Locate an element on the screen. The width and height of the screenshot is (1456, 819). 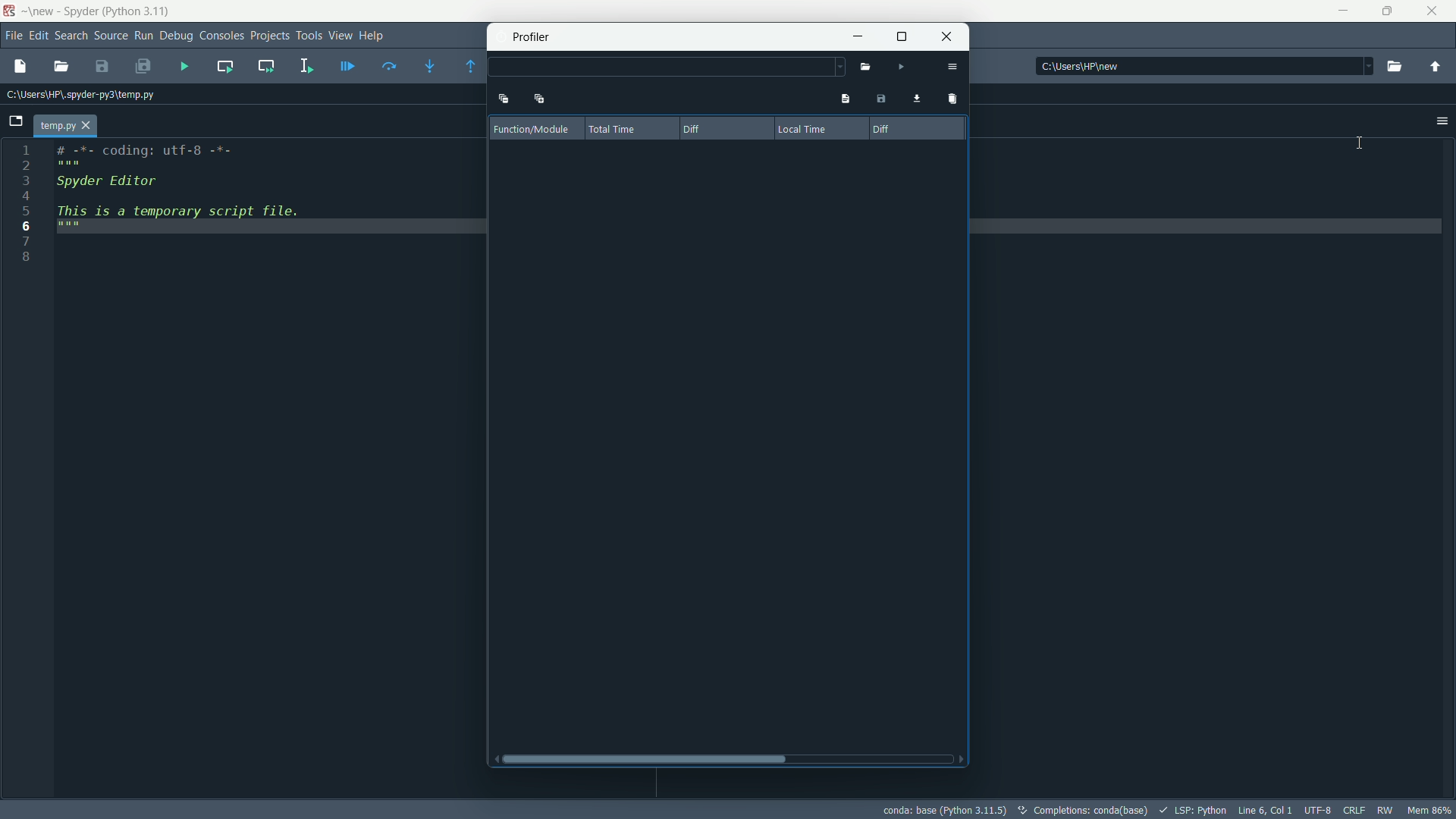
dropdown is located at coordinates (667, 67).